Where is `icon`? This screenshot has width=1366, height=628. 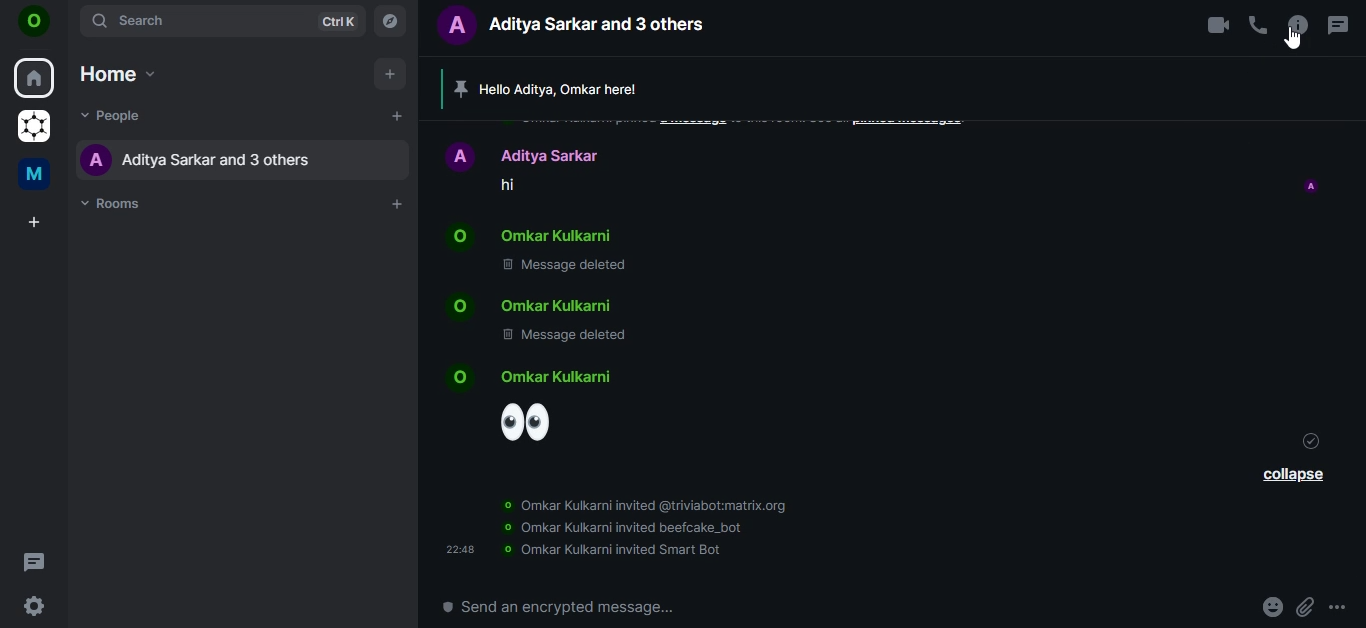
icon is located at coordinates (1316, 187).